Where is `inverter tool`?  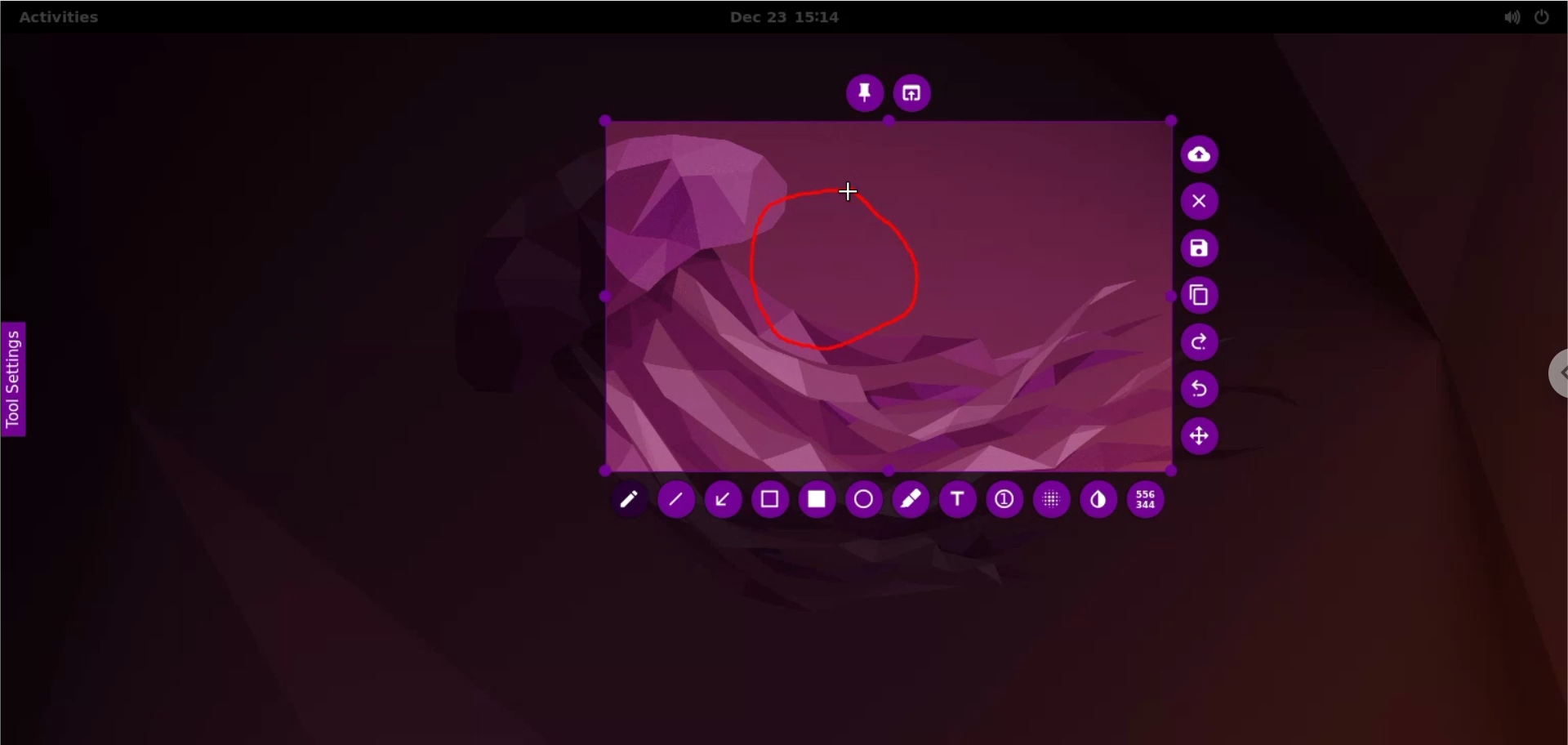 inverter tool is located at coordinates (1096, 505).